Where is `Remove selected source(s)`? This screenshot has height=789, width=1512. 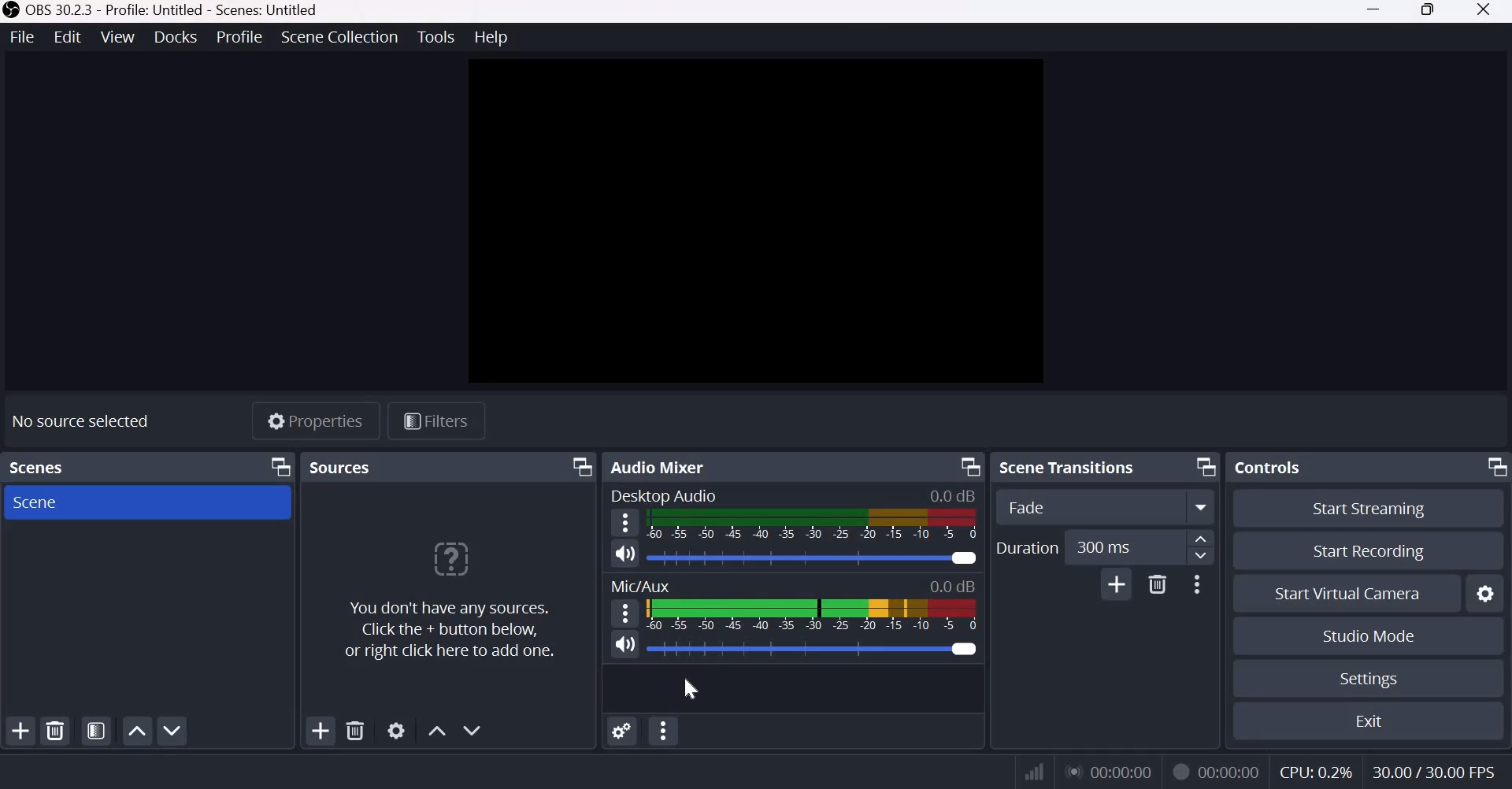
Remove selected source(s) is located at coordinates (357, 732).